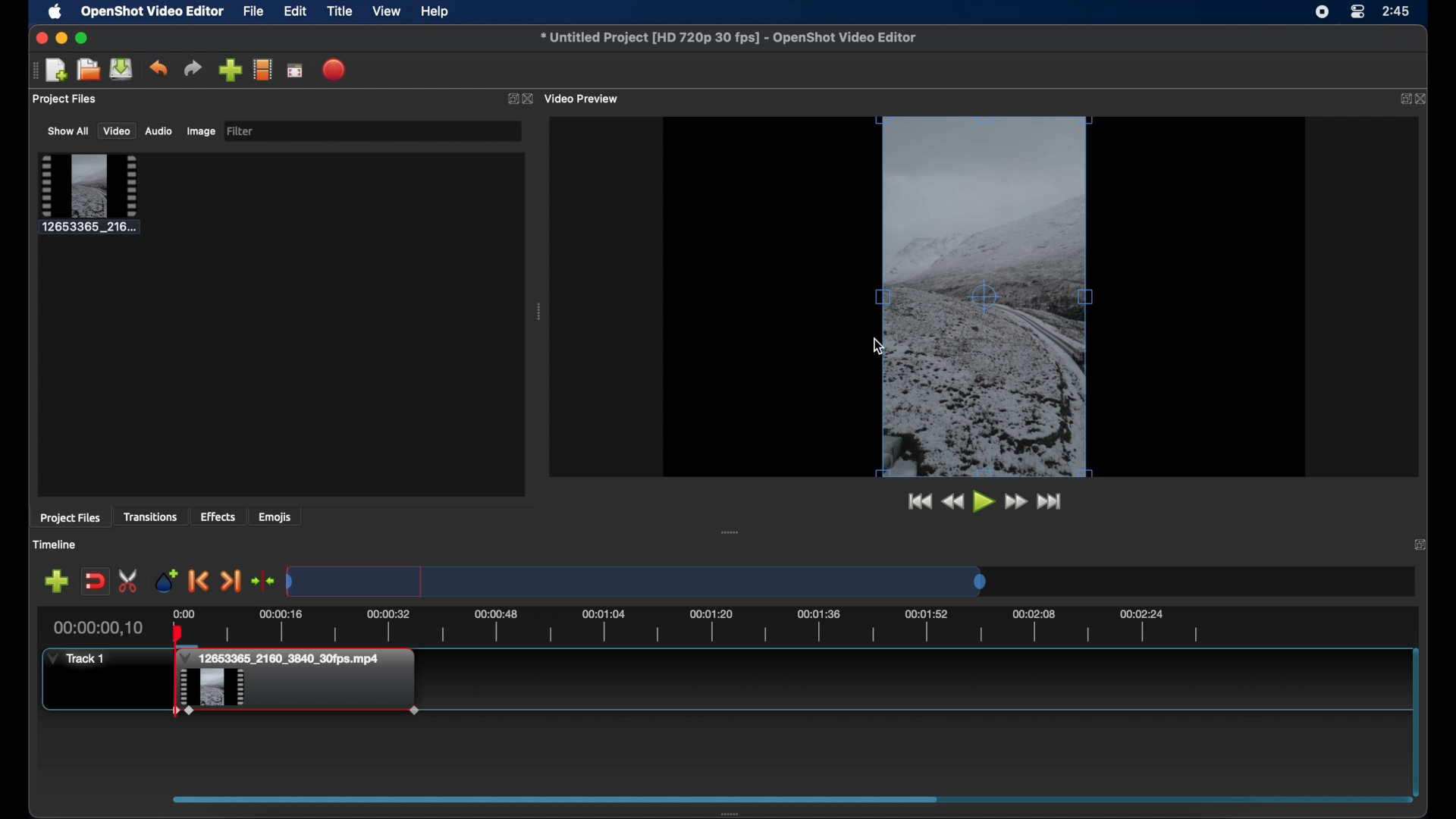 This screenshot has height=819, width=1456. I want to click on file name, so click(731, 38).